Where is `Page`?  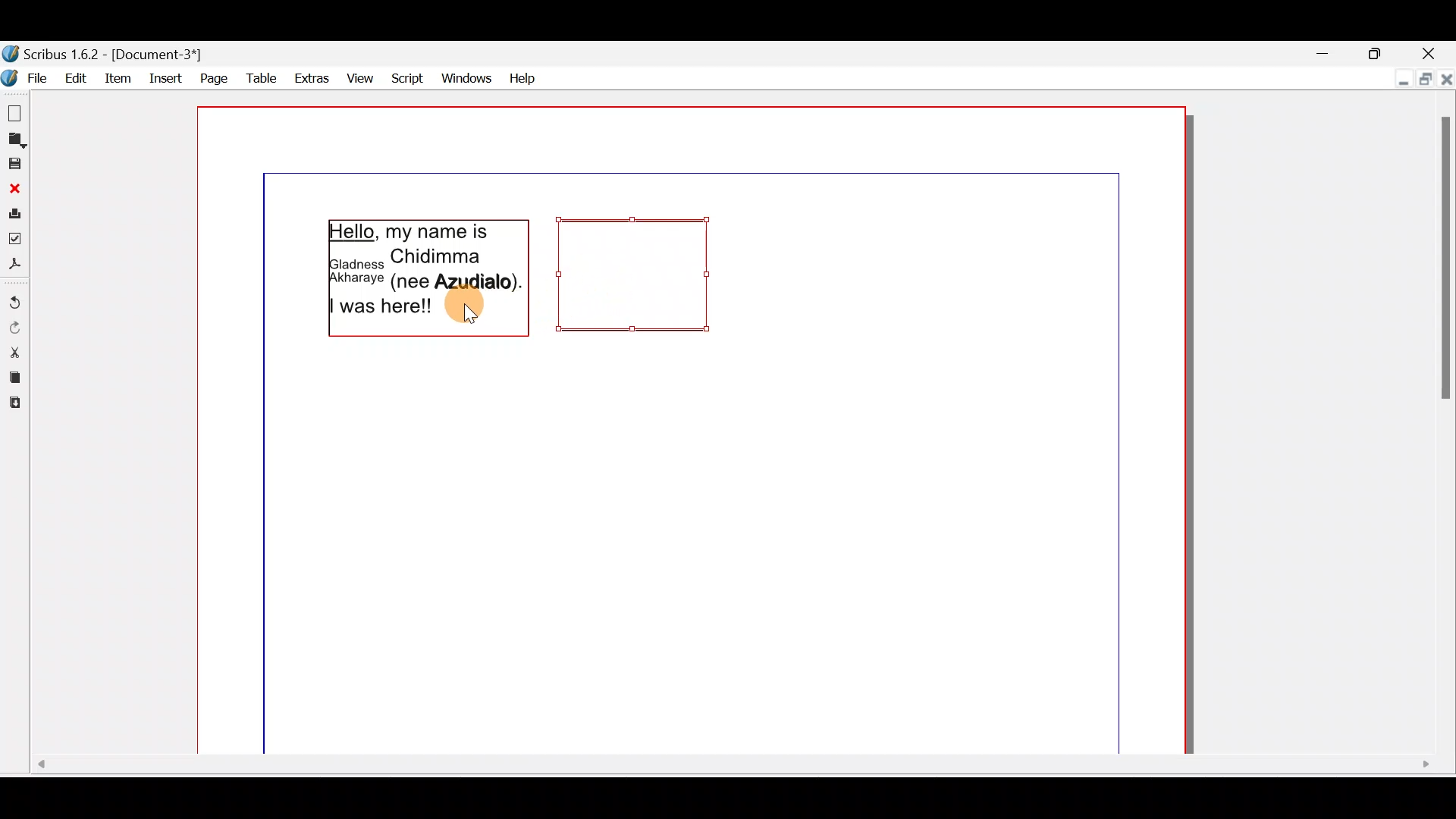
Page is located at coordinates (210, 77).